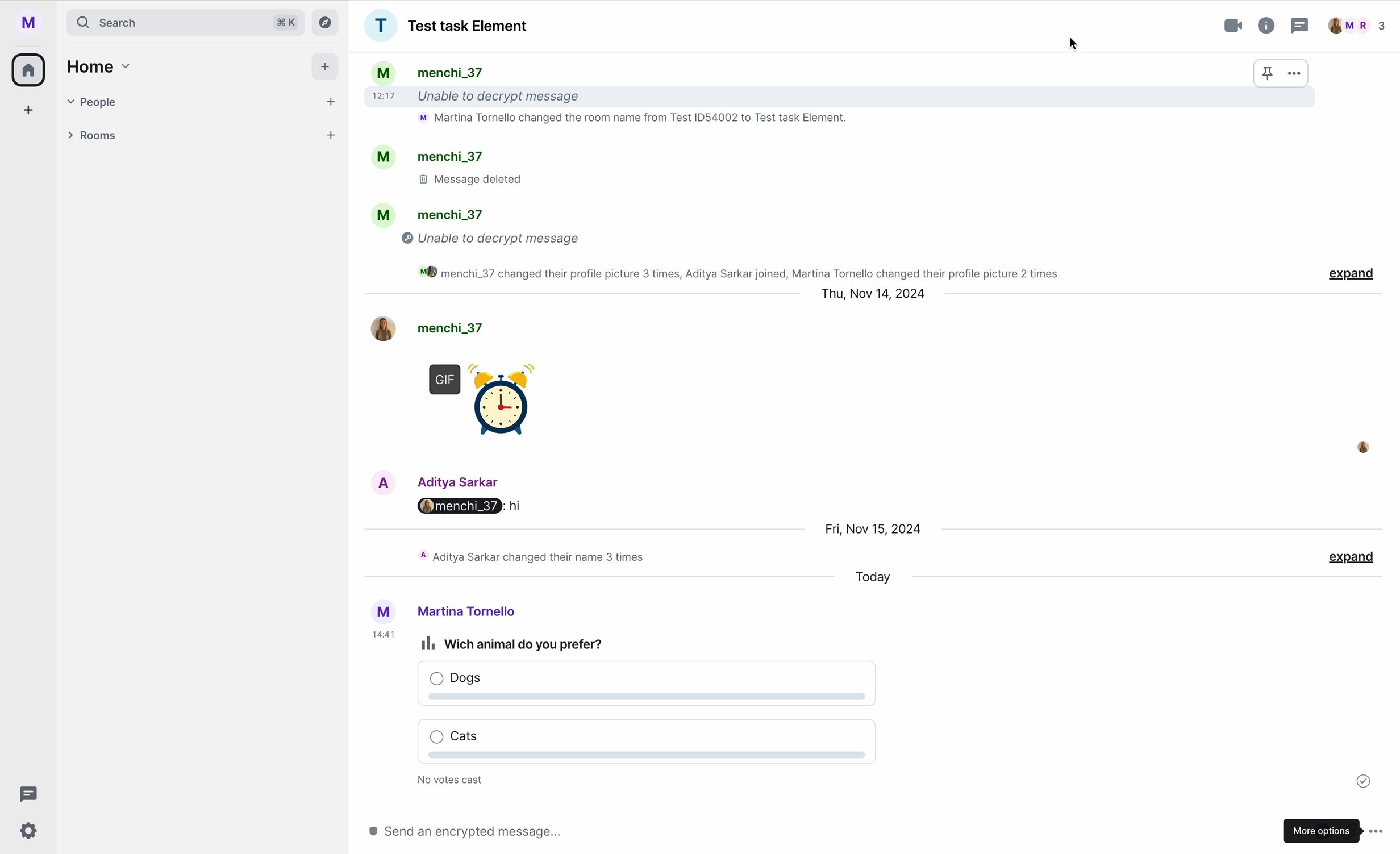 This screenshot has height=854, width=1400. What do you see at coordinates (515, 644) in the screenshot?
I see `Wich animal do you prefer?` at bounding box center [515, 644].